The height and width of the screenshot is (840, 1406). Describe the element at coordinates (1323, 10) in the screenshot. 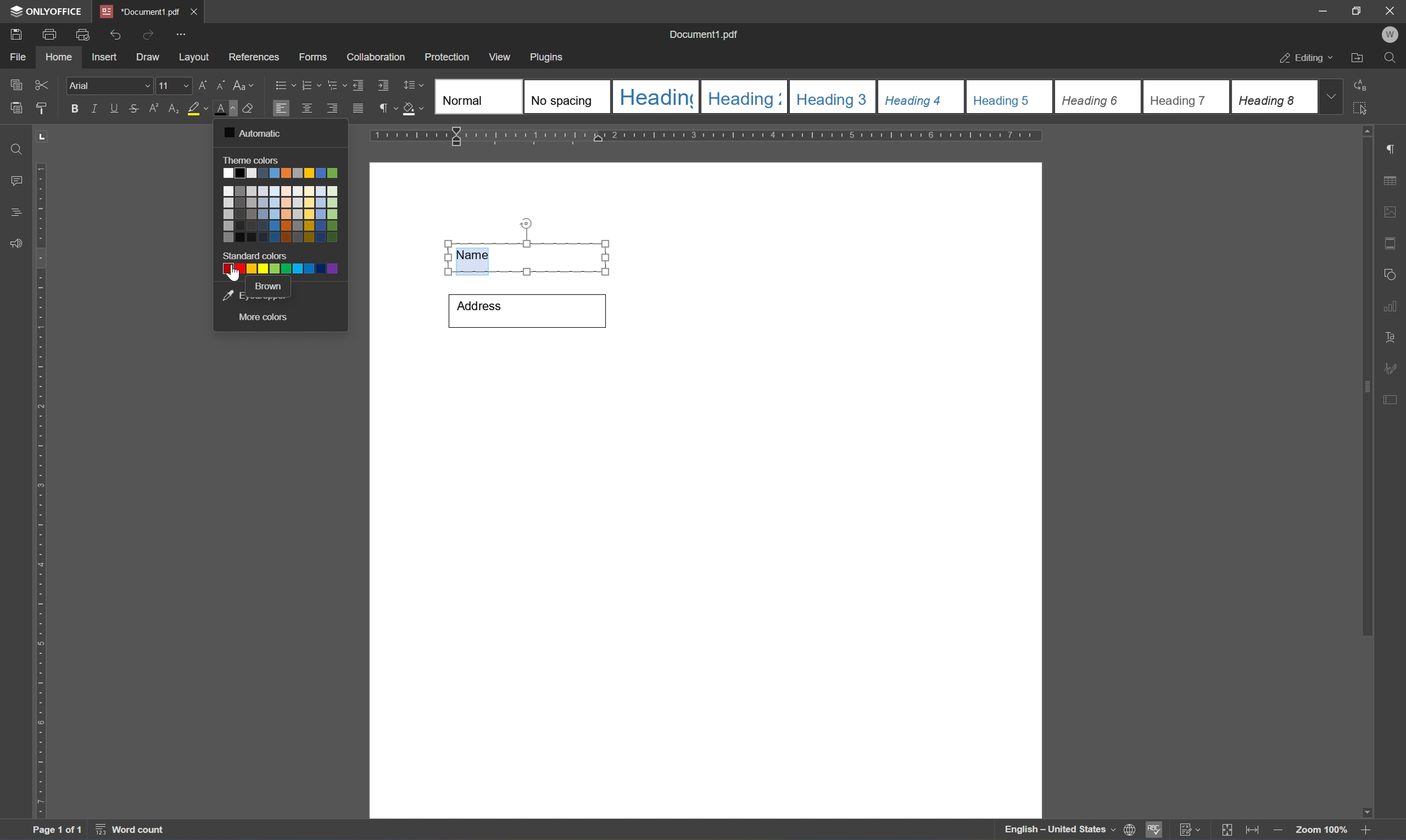

I see `minimize` at that location.